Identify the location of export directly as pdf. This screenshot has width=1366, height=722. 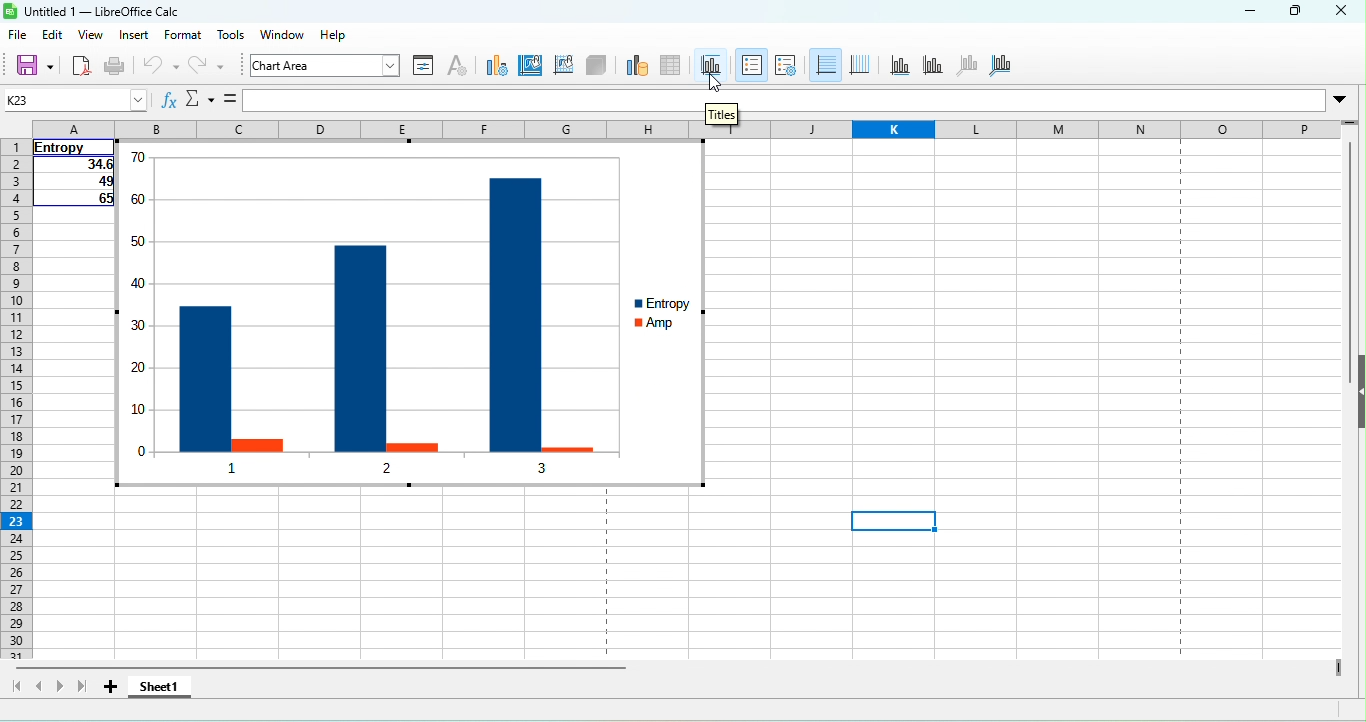
(82, 65).